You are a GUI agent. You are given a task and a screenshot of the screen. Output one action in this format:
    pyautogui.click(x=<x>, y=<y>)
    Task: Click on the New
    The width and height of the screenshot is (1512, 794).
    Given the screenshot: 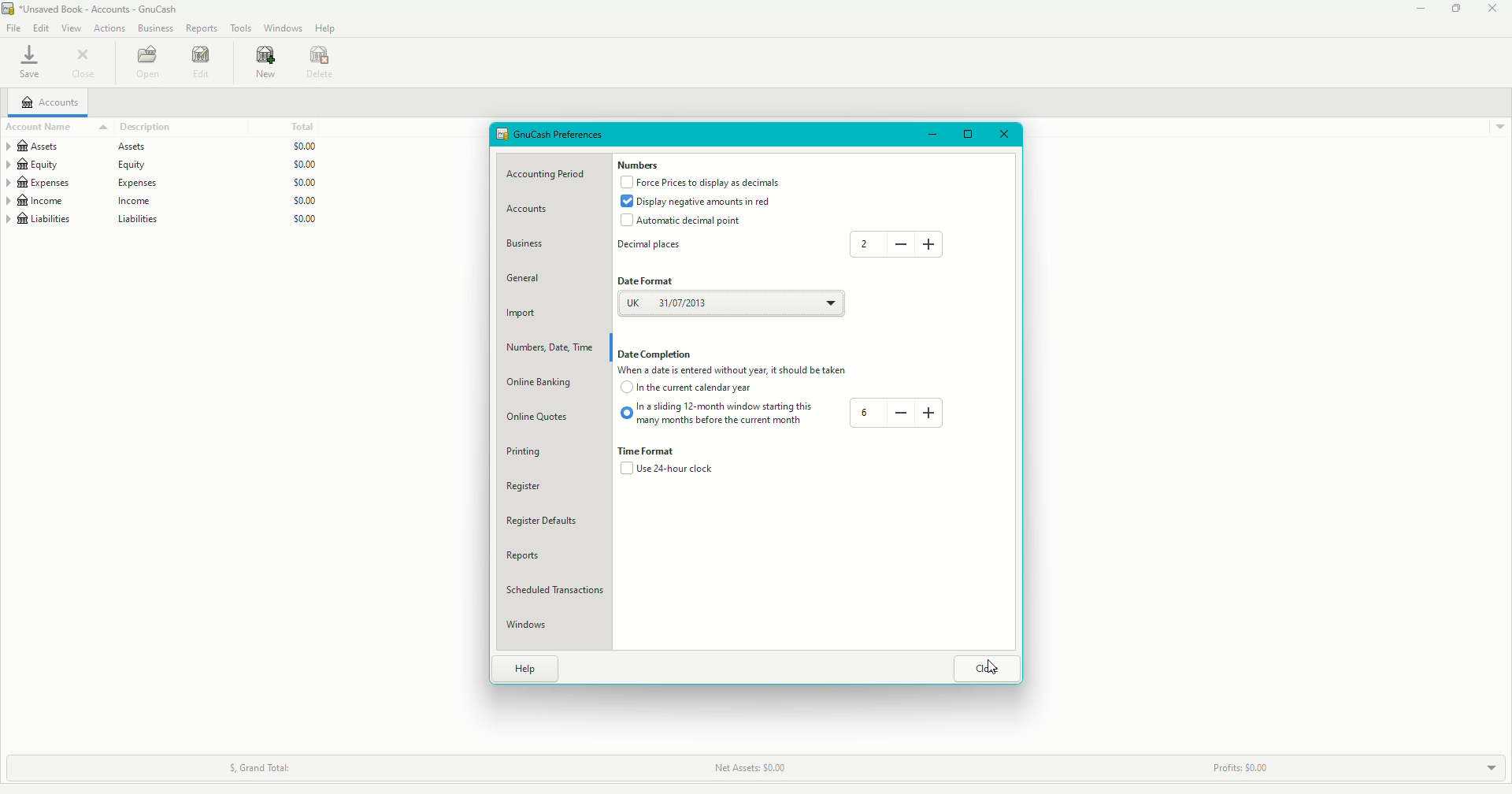 What is the action you would take?
    pyautogui.click(x=263, y=64)
    